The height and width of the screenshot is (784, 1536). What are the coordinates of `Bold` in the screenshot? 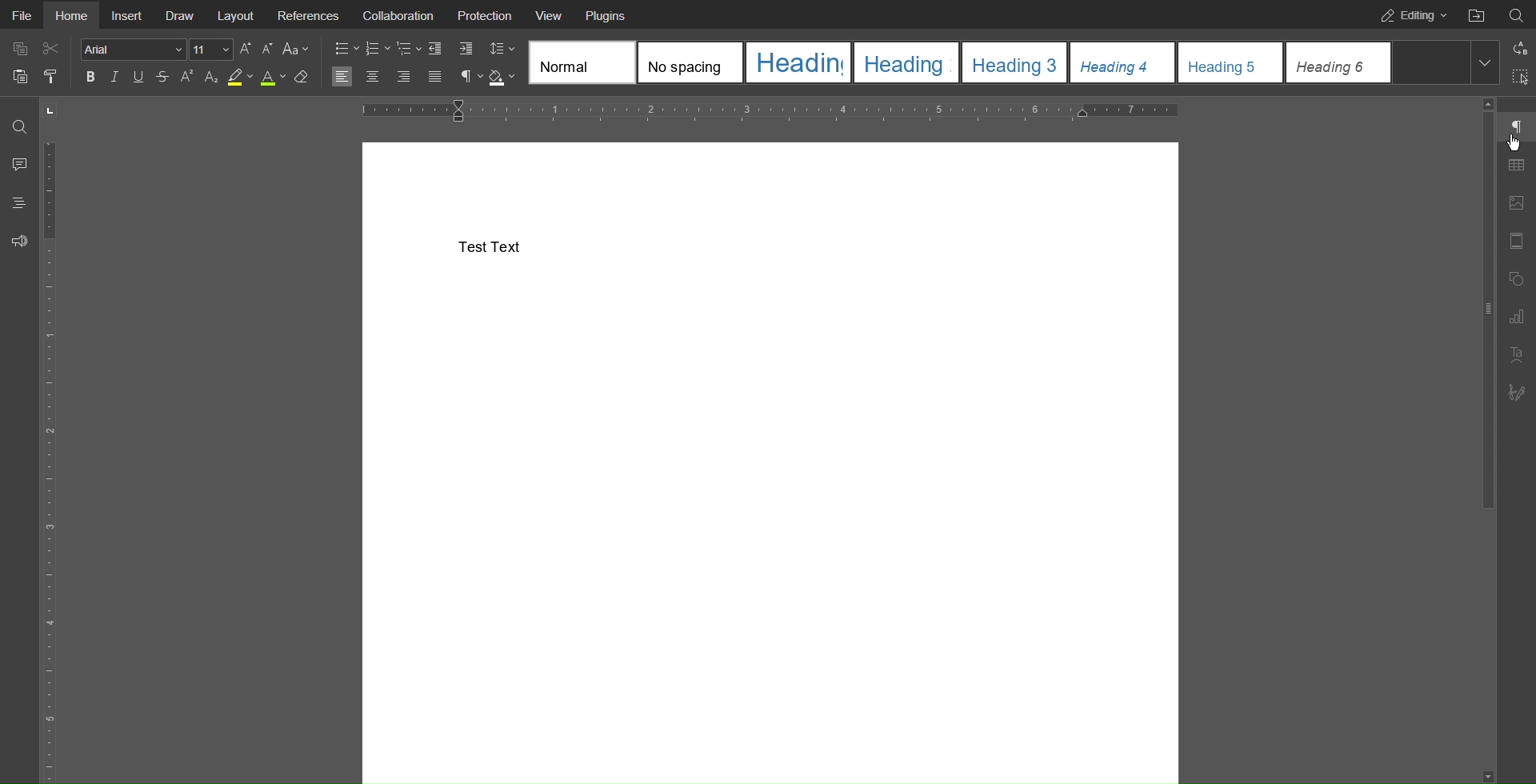 It's located at (93, 77).